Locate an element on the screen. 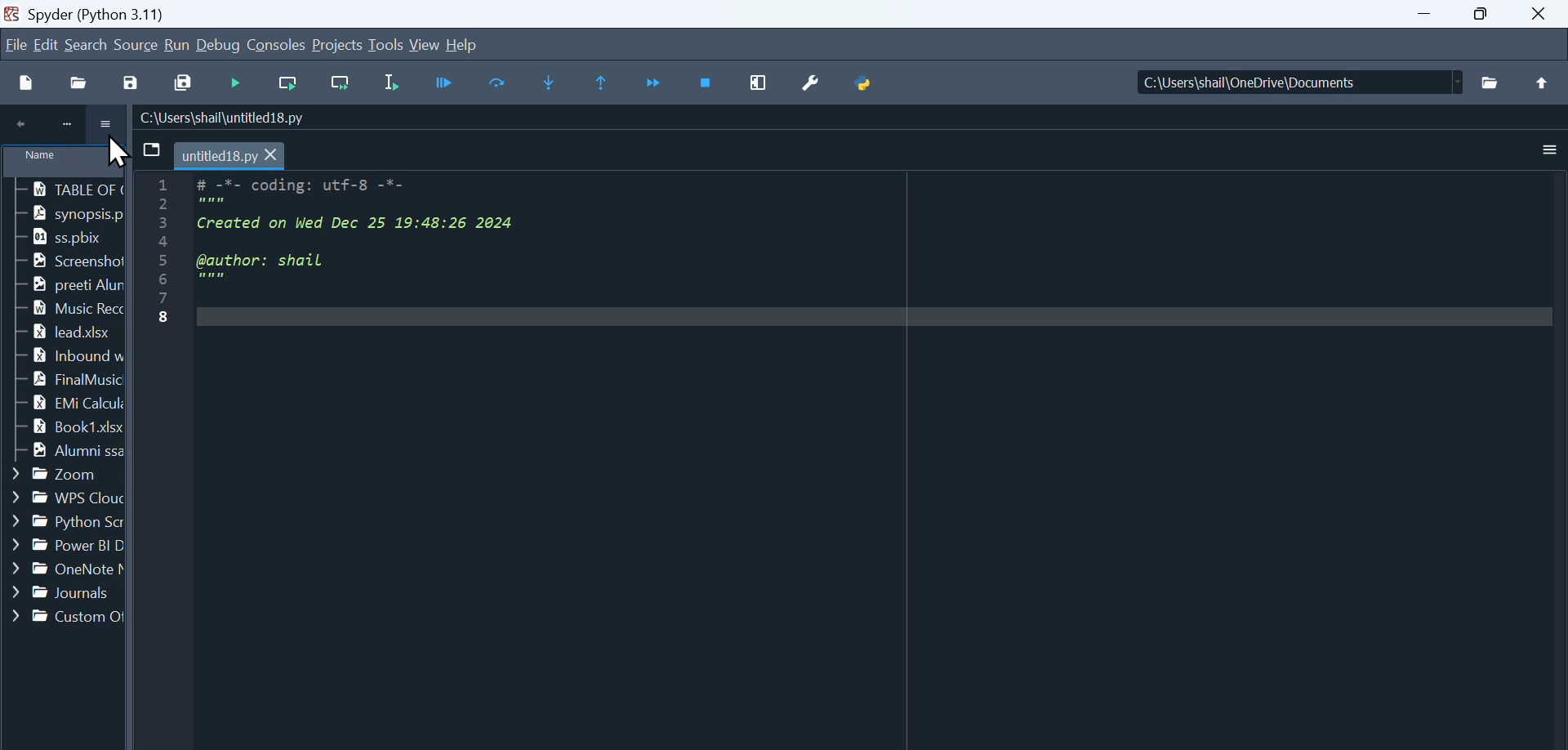 The width and height of the screenshot is (1568, 750). New is located at coordinates (26, 82).